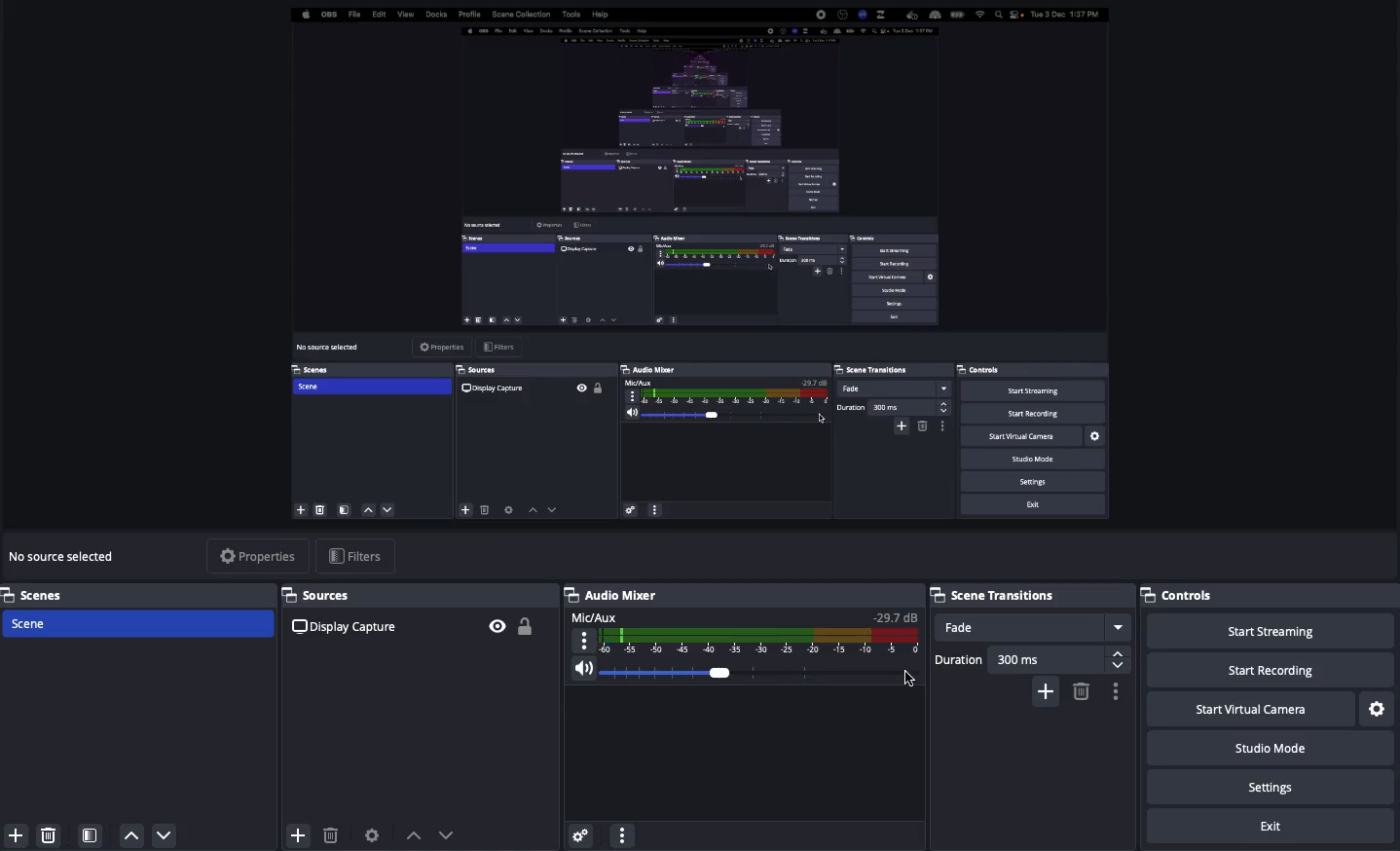  What do you see at coordinates (1185, 595) in the screenshot?
I see `Controls` at bounding box center [1185, 595].